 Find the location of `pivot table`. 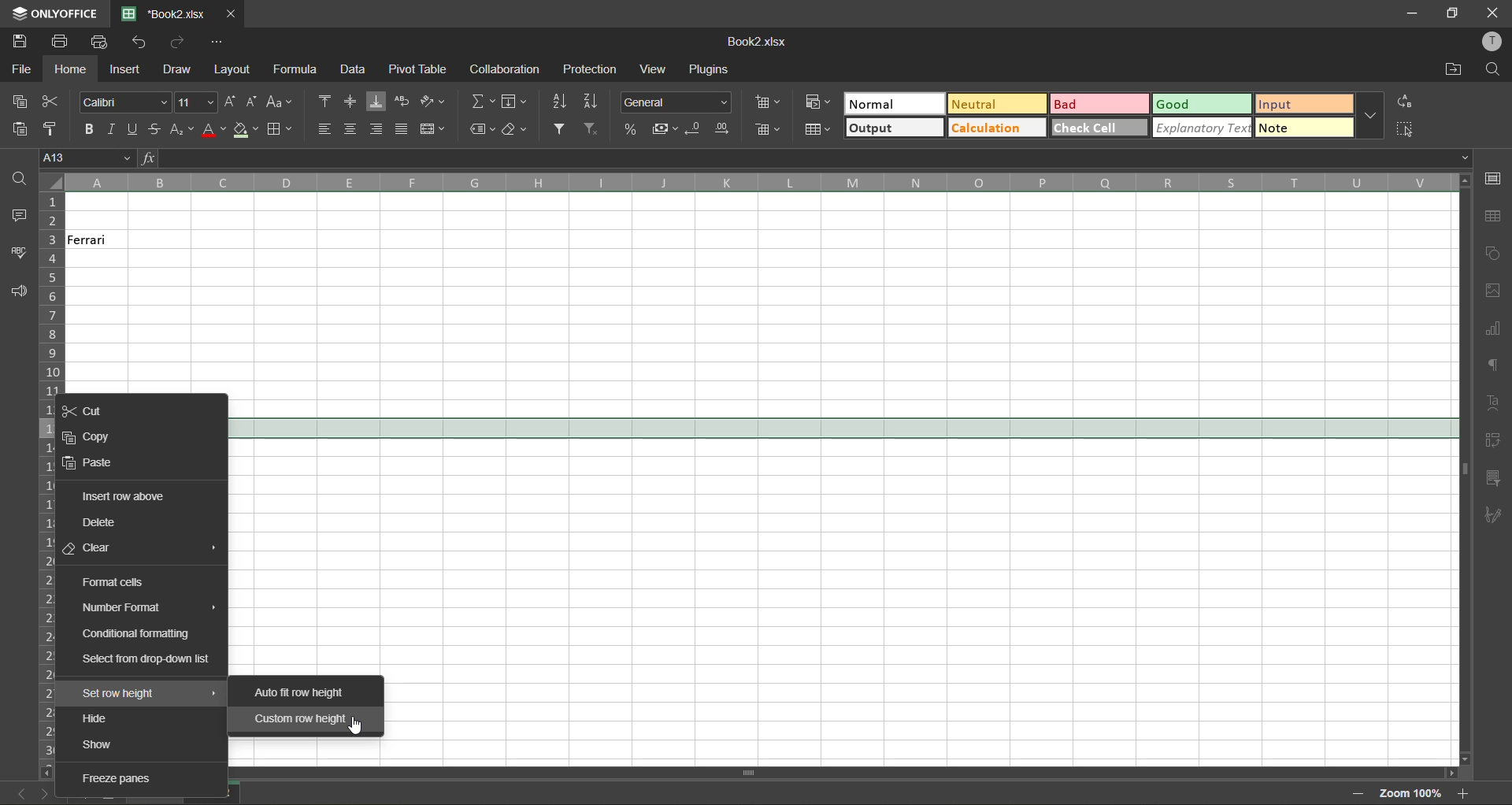

pivot table is located at coordinates (417, 69).